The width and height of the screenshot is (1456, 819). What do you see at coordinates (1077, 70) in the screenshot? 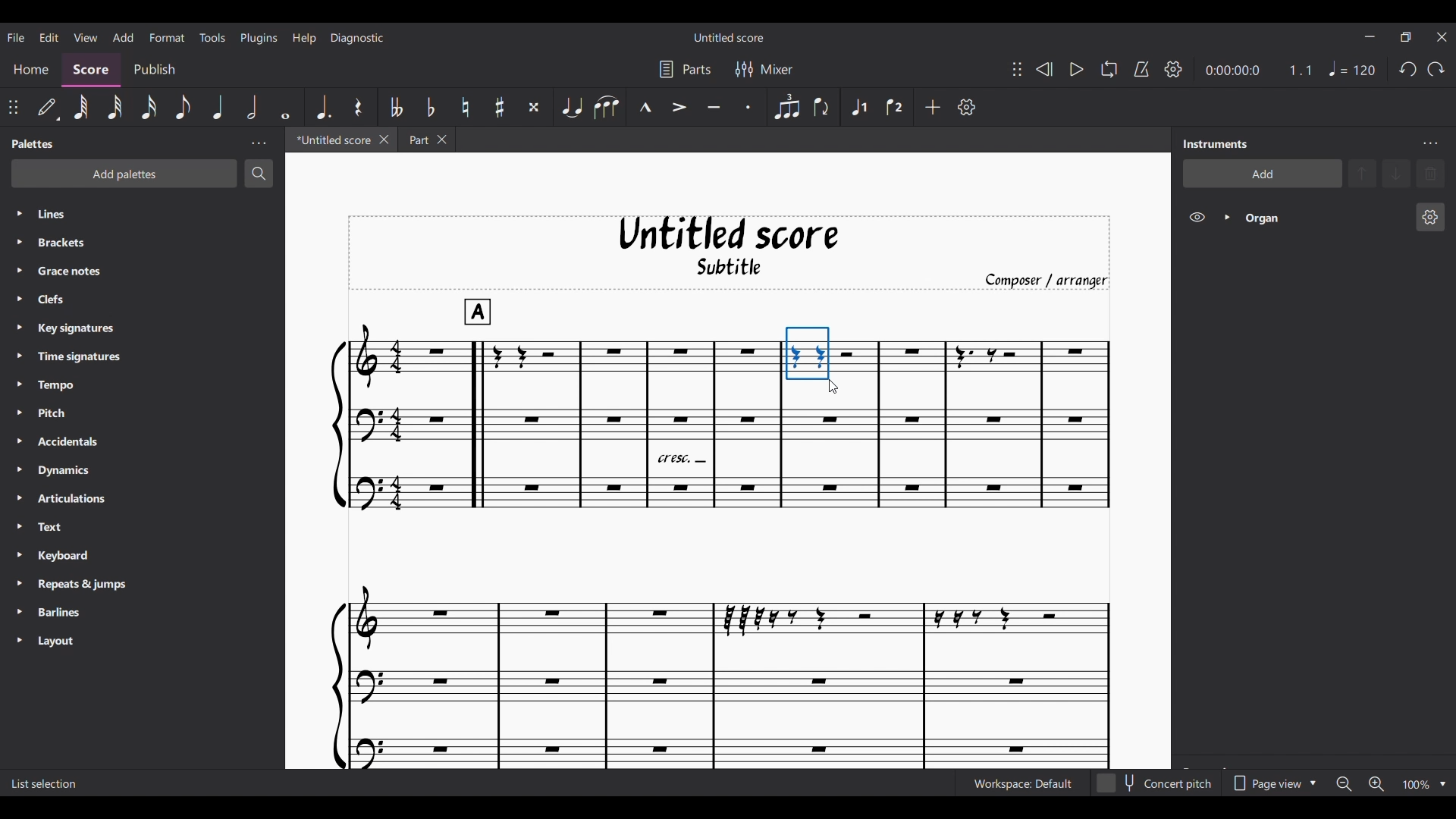
I see `Play` at bounding box center [1077, 70].